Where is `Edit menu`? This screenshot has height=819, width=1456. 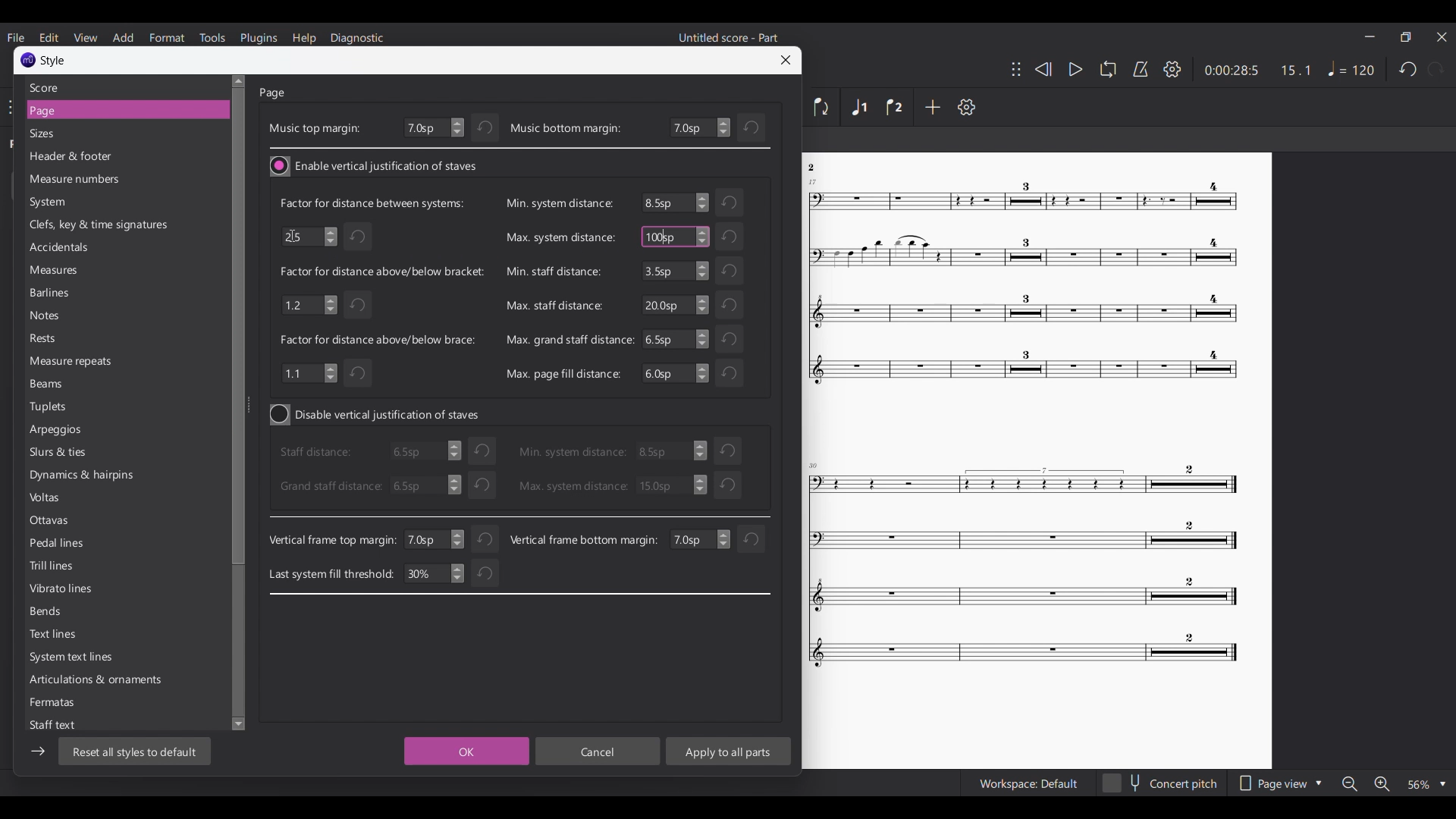 Edit menu is located at coordinates (49, 36).